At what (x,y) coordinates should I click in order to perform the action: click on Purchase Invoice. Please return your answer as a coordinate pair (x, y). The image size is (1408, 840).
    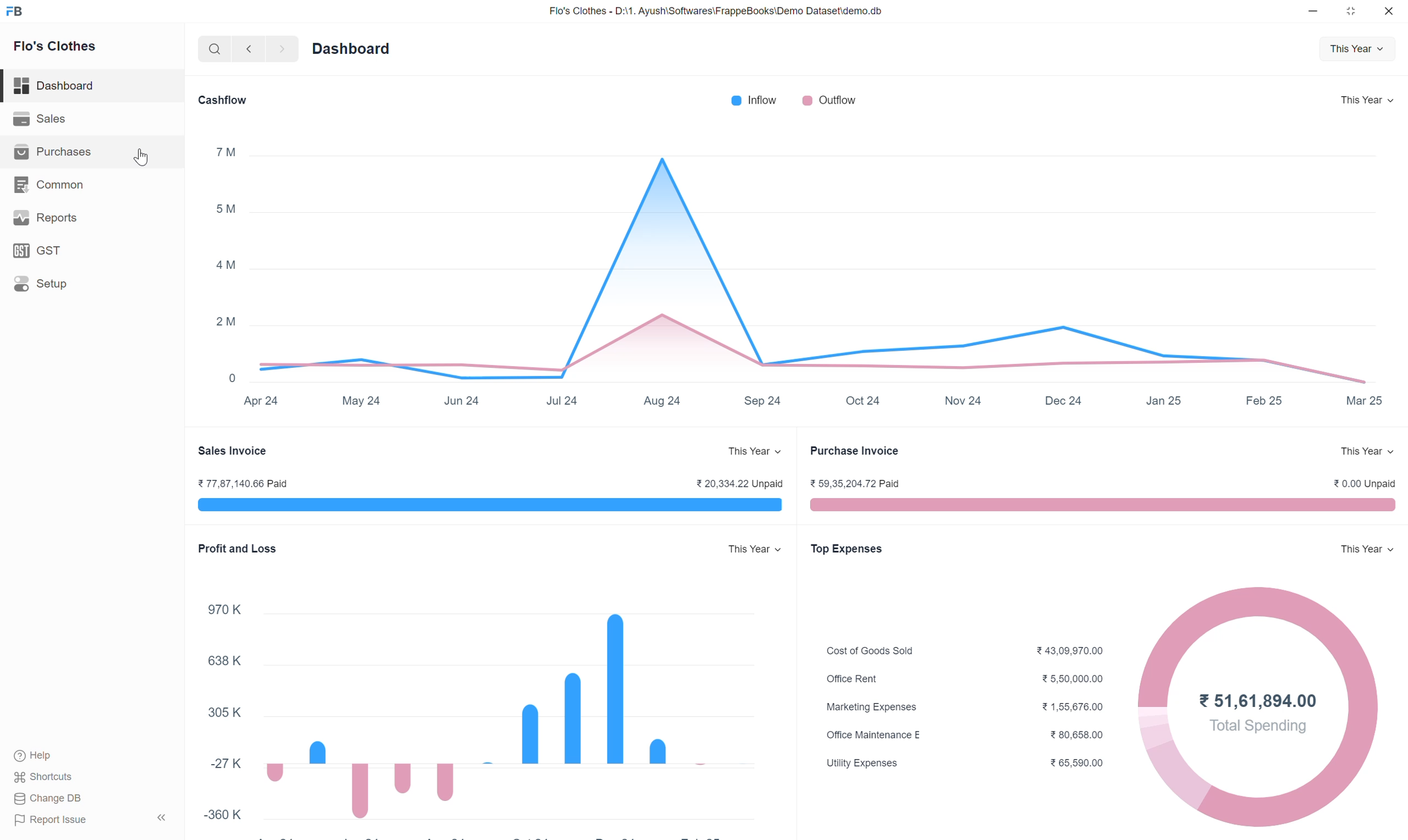
    Looking at the image, I should click on (854, 451).